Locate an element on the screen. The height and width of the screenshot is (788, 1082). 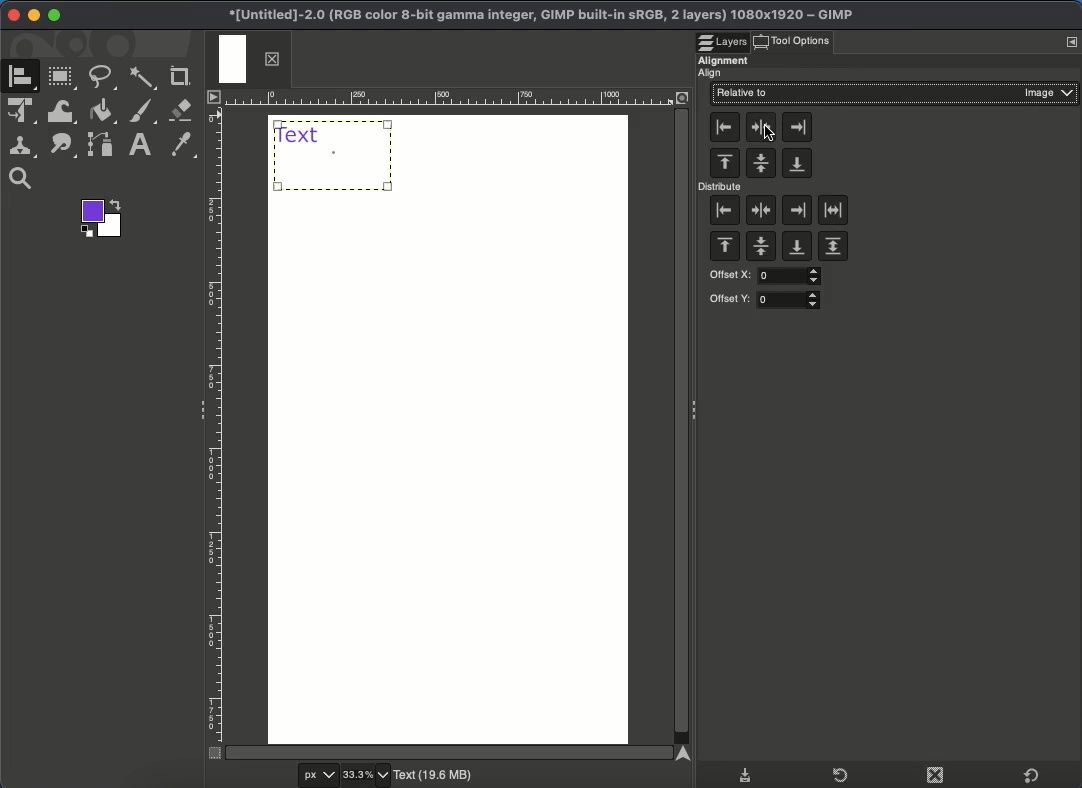
Maximize is located at coordinates (54, 16).